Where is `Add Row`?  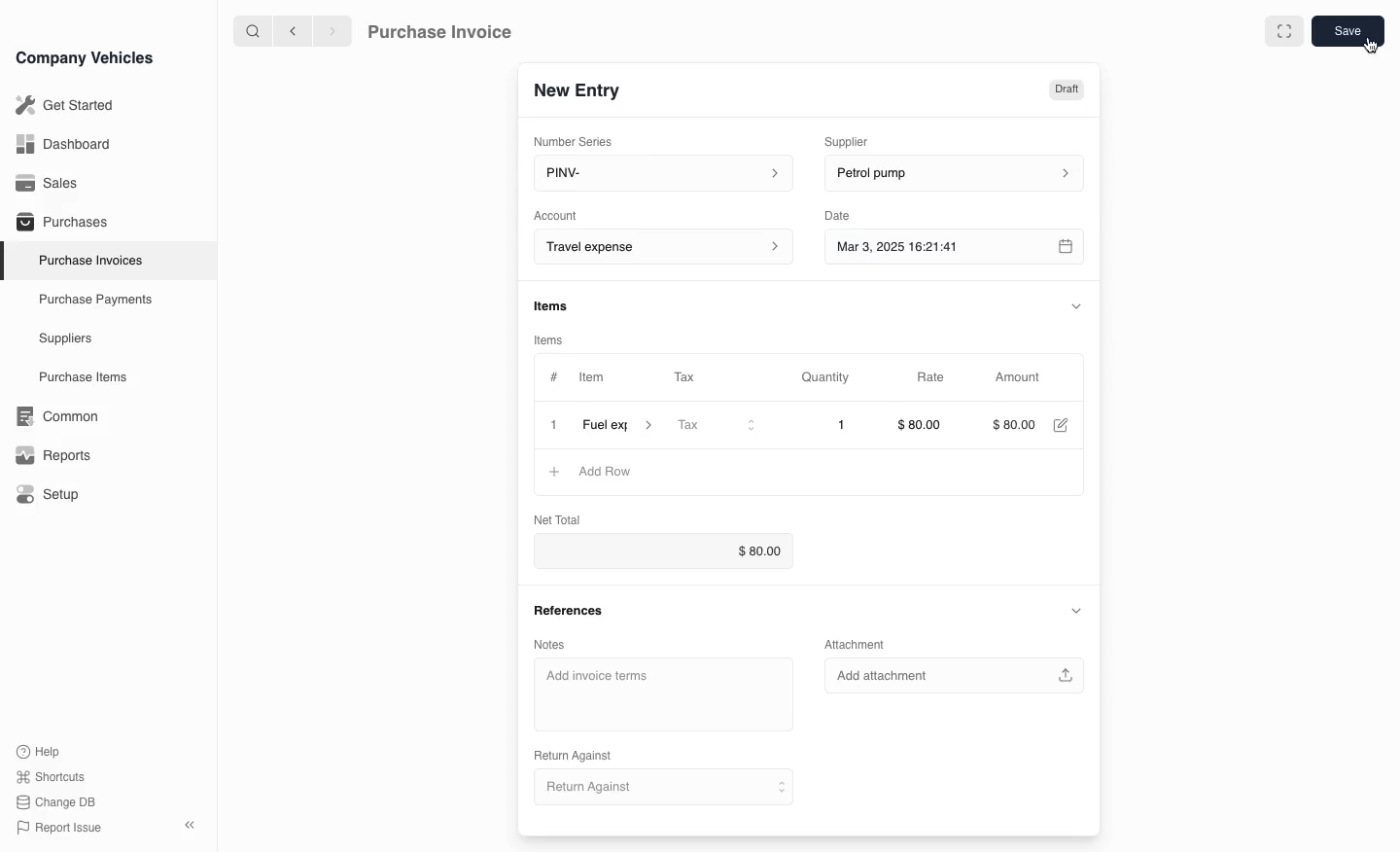
Add Row is located at coordinates (589, 473).